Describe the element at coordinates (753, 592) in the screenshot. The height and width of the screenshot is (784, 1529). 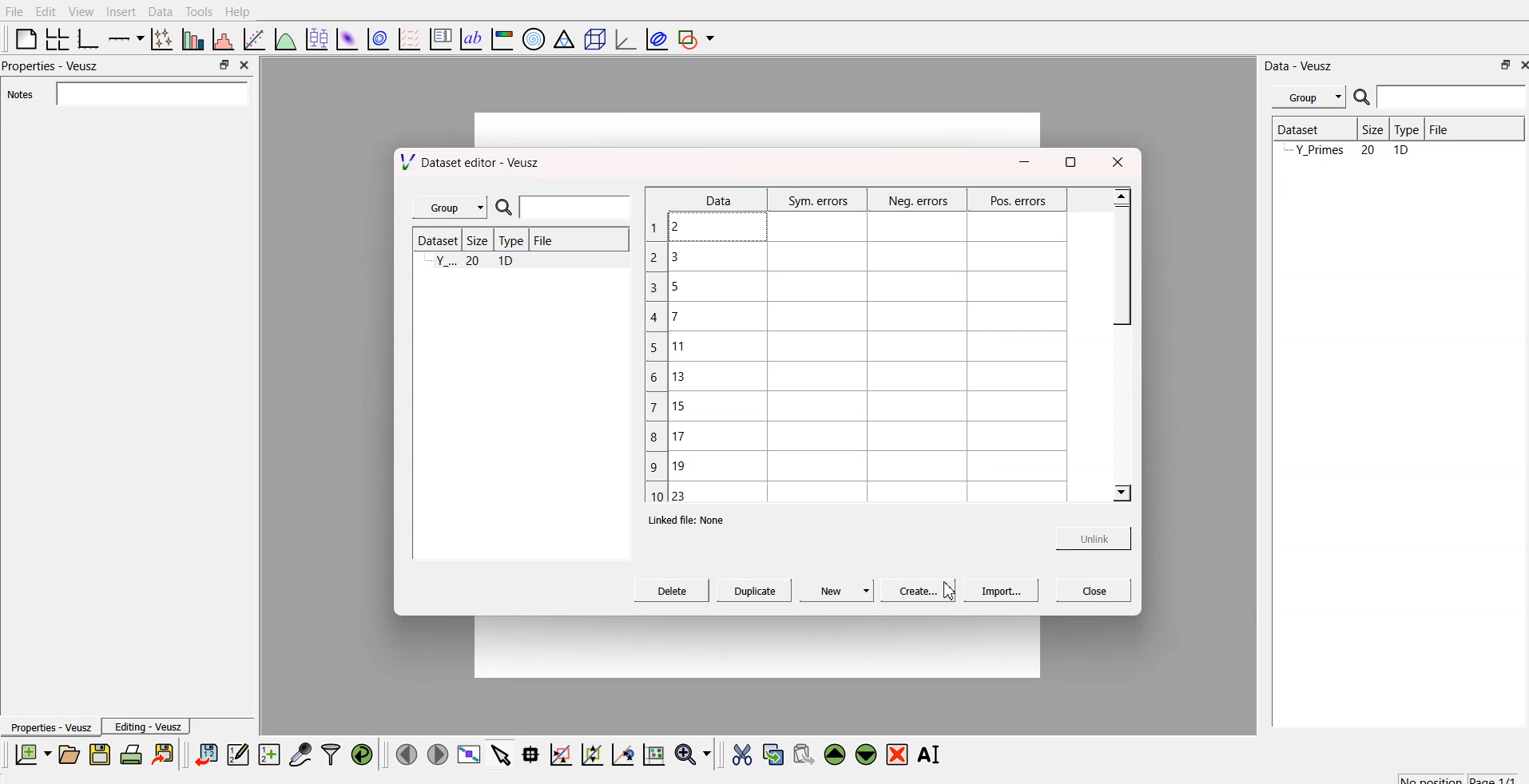
I see `Duplicate` at that location.